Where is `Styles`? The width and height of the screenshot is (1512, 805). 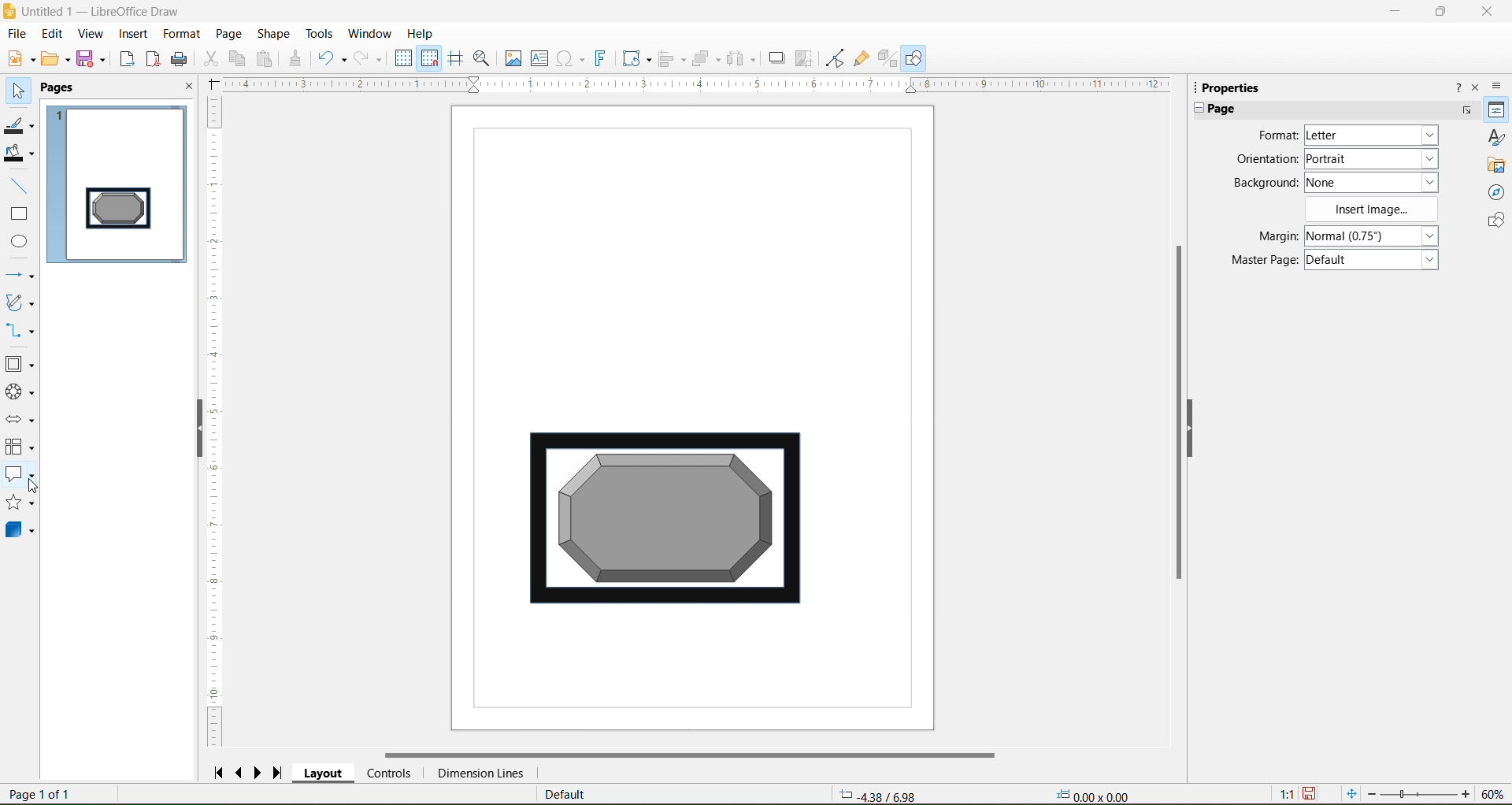
Styles is located at coordinates (1496, 137).